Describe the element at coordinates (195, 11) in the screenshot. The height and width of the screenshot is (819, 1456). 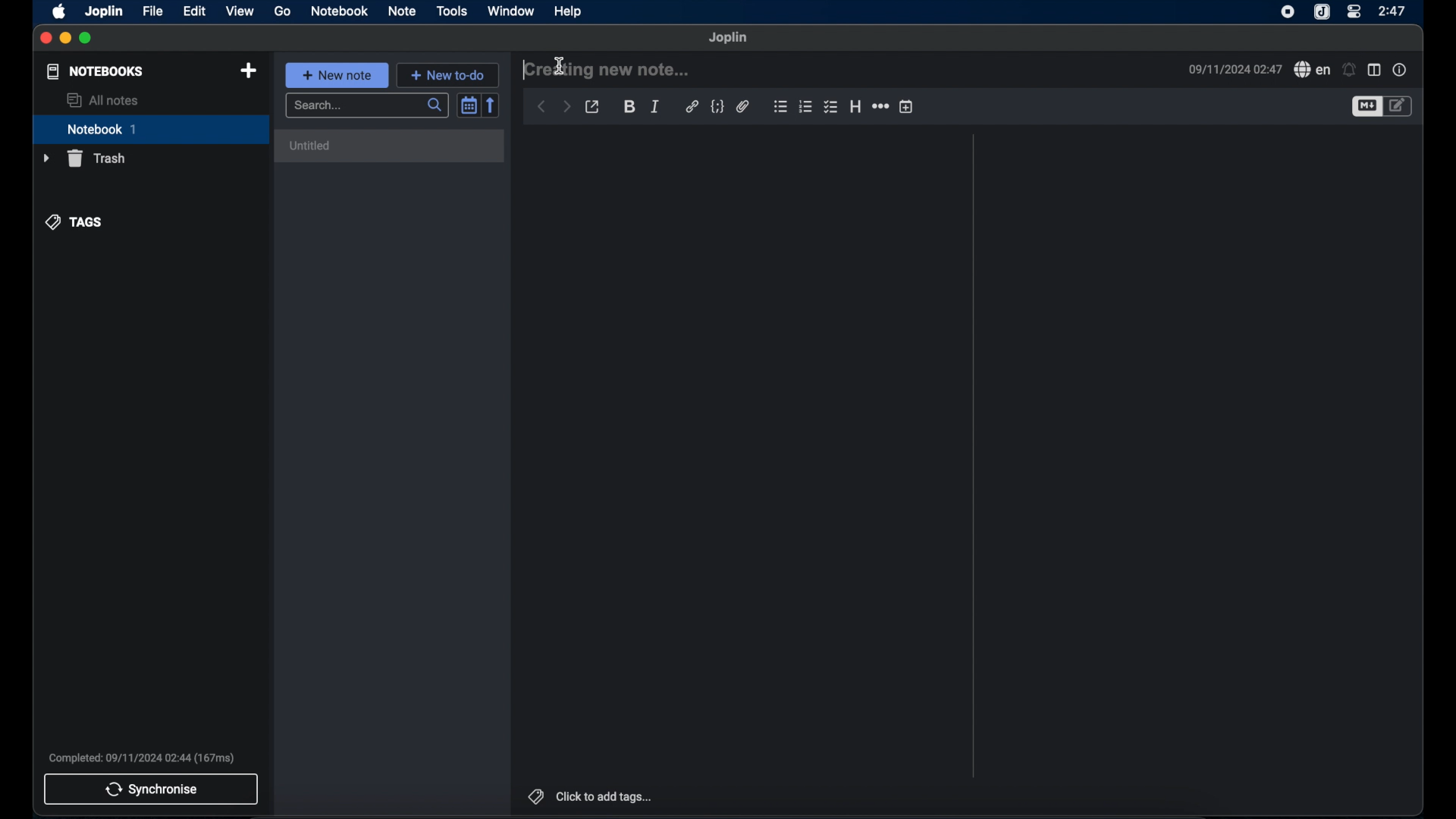
I see `edit` at that location.